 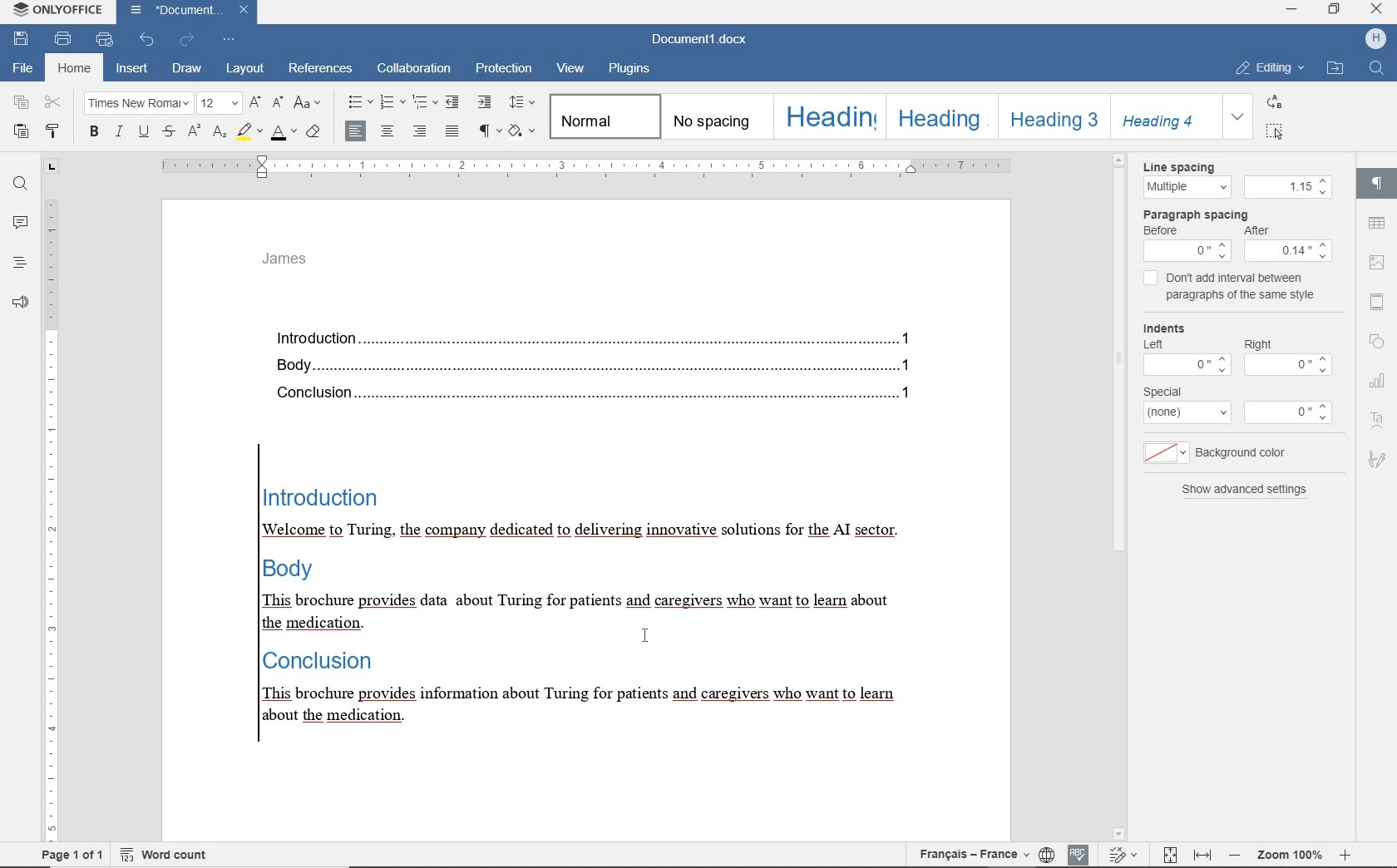 I want to click on find, so click(x=21, y=182).